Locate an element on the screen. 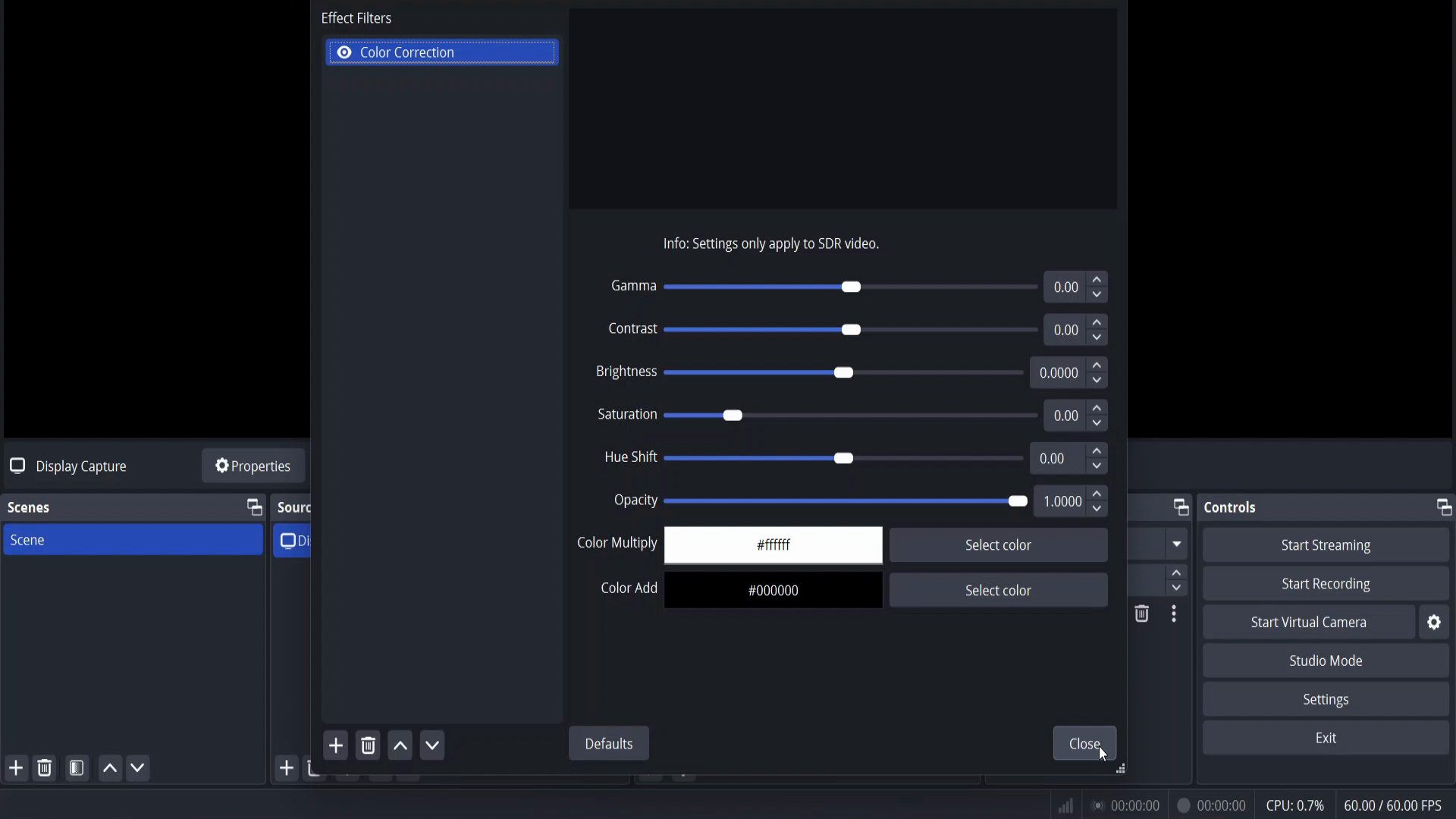 Image resolution: width=1456 pixels, height=819 pixels.  is located at coordinates (1175, 617).